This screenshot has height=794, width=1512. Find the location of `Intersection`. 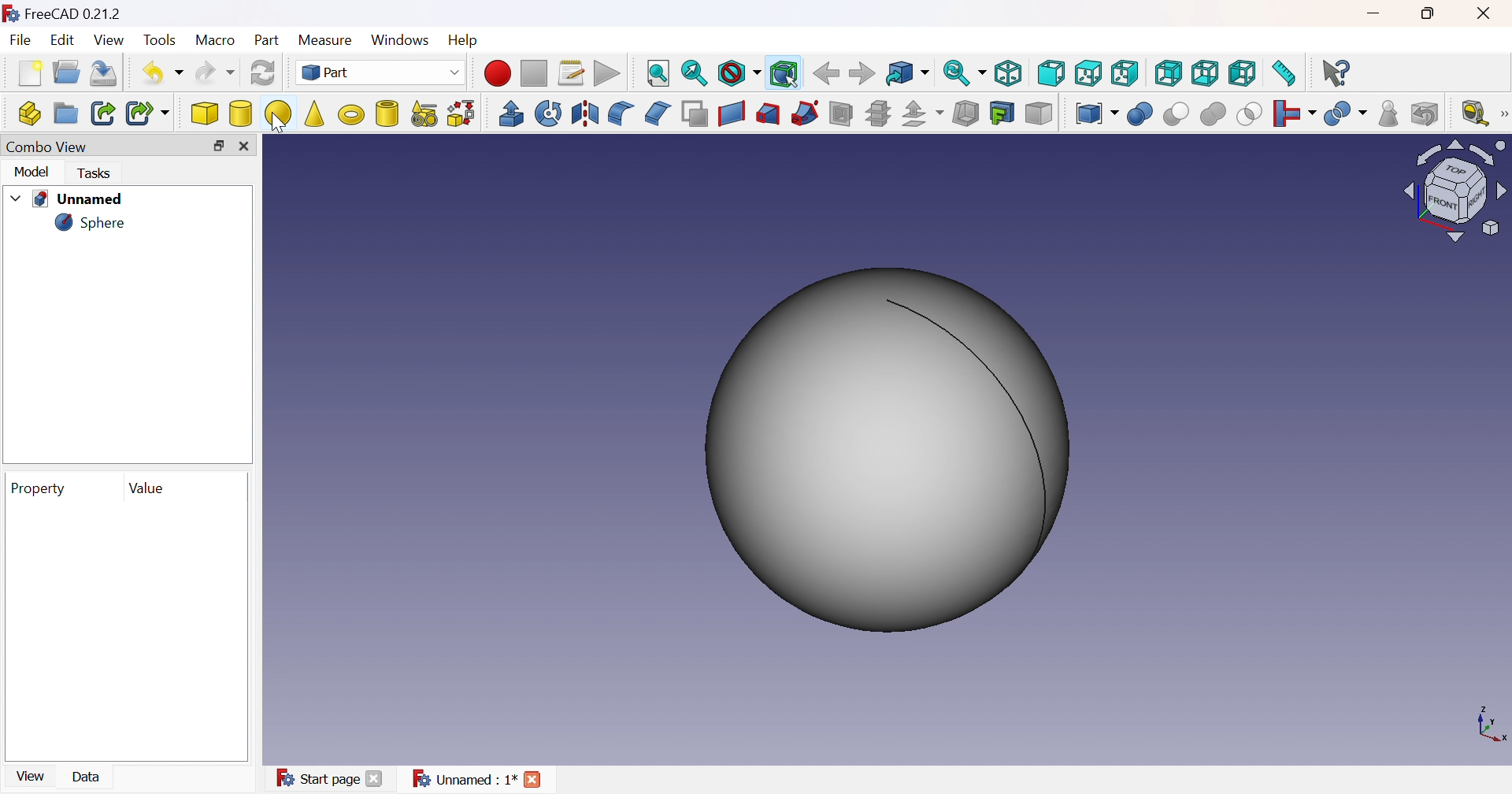

Intersection is located at coordinates (1250, 114).